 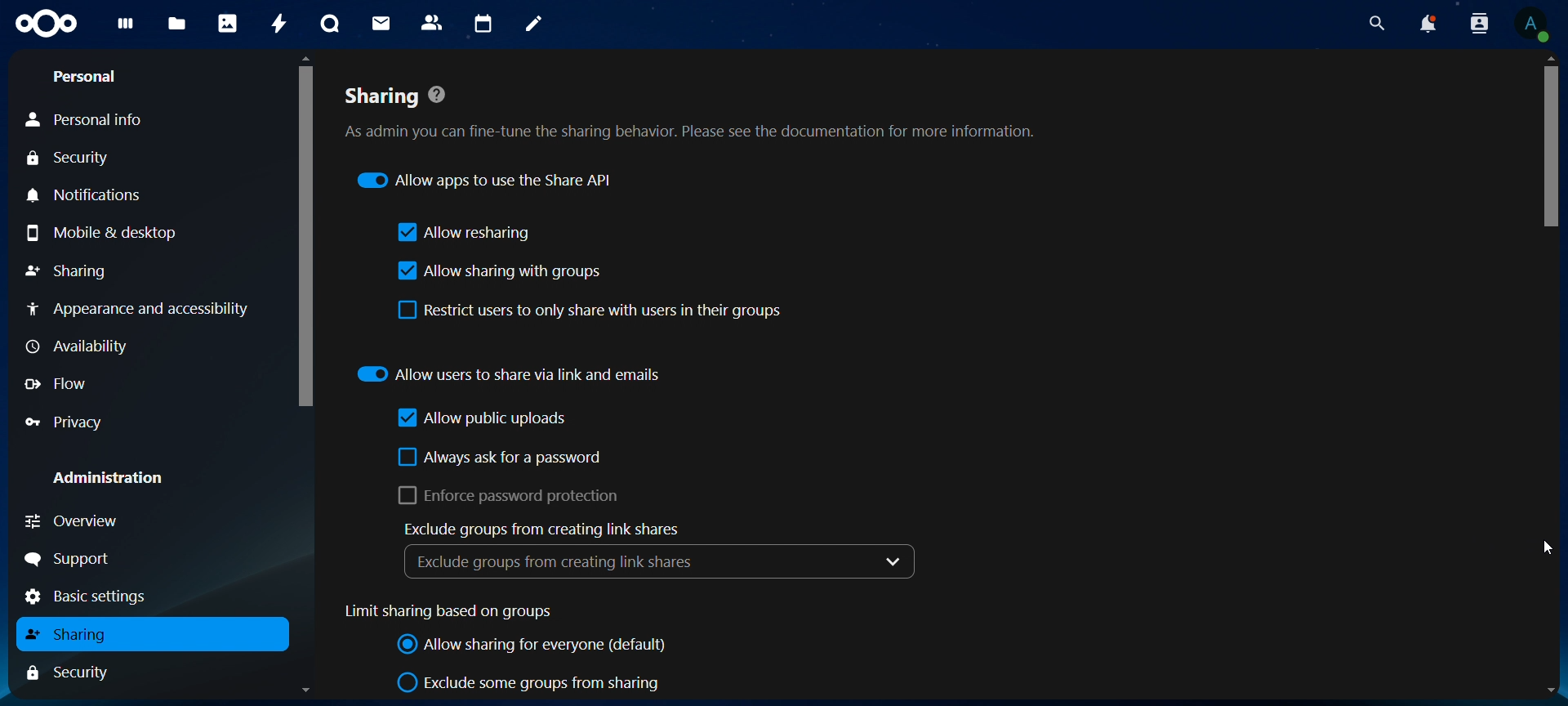 I want to click on security, so click(x=78, y=672).